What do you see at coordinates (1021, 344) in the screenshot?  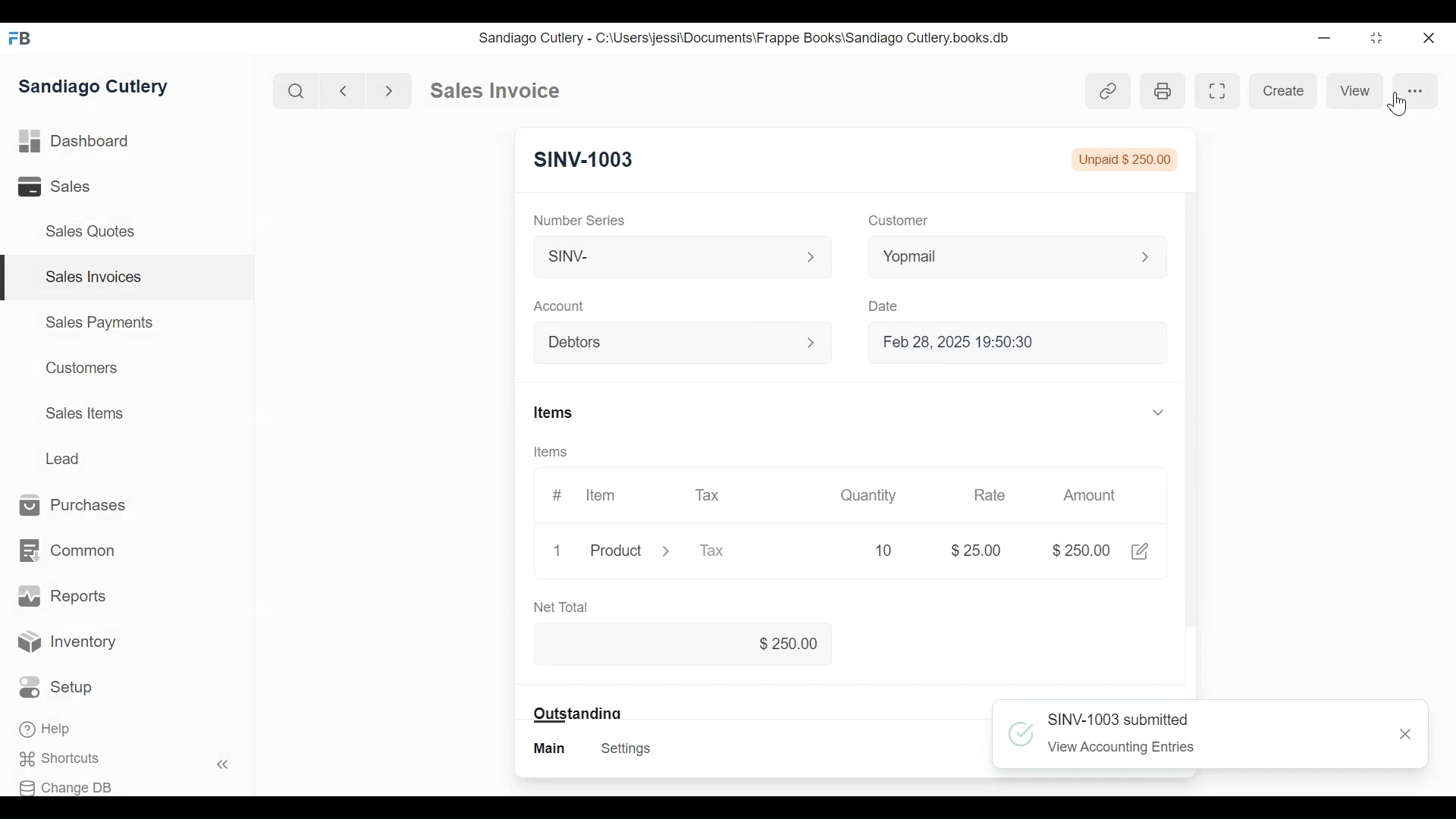 I see `Feb 28, 2025 19:50:30 &` at bounding box center [1021, 344].